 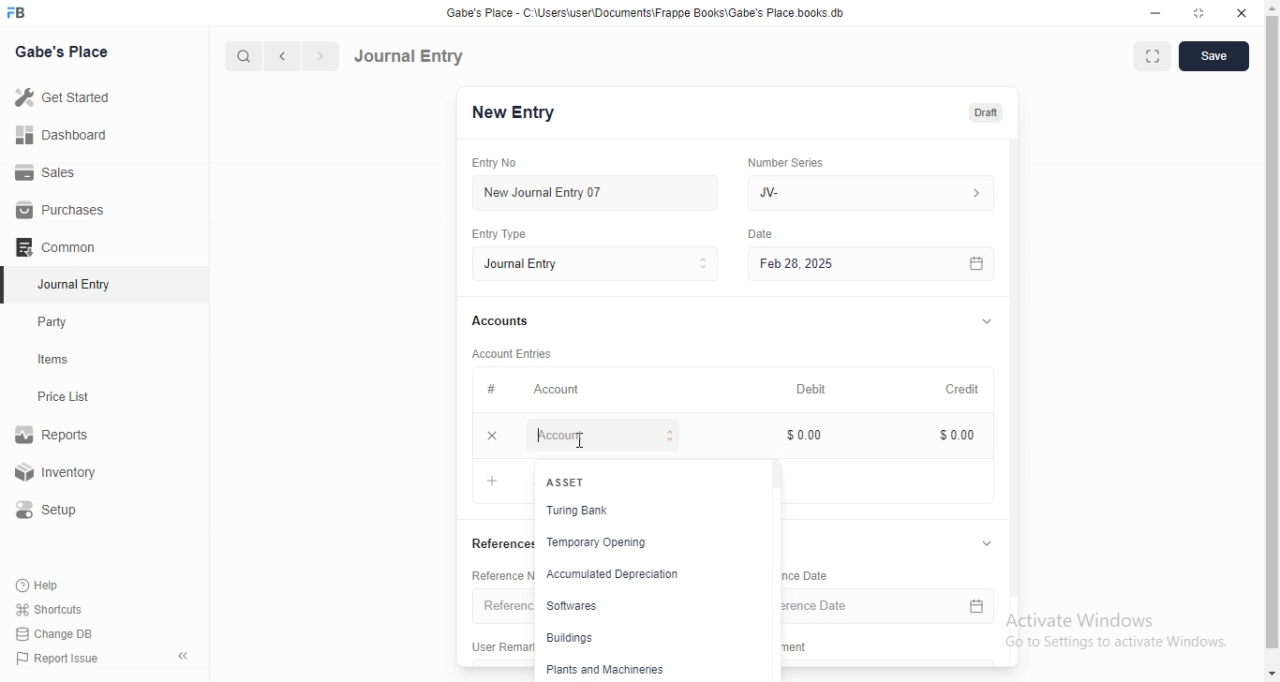 I want to click on Gabe's Place, so click(x=64, y=51).